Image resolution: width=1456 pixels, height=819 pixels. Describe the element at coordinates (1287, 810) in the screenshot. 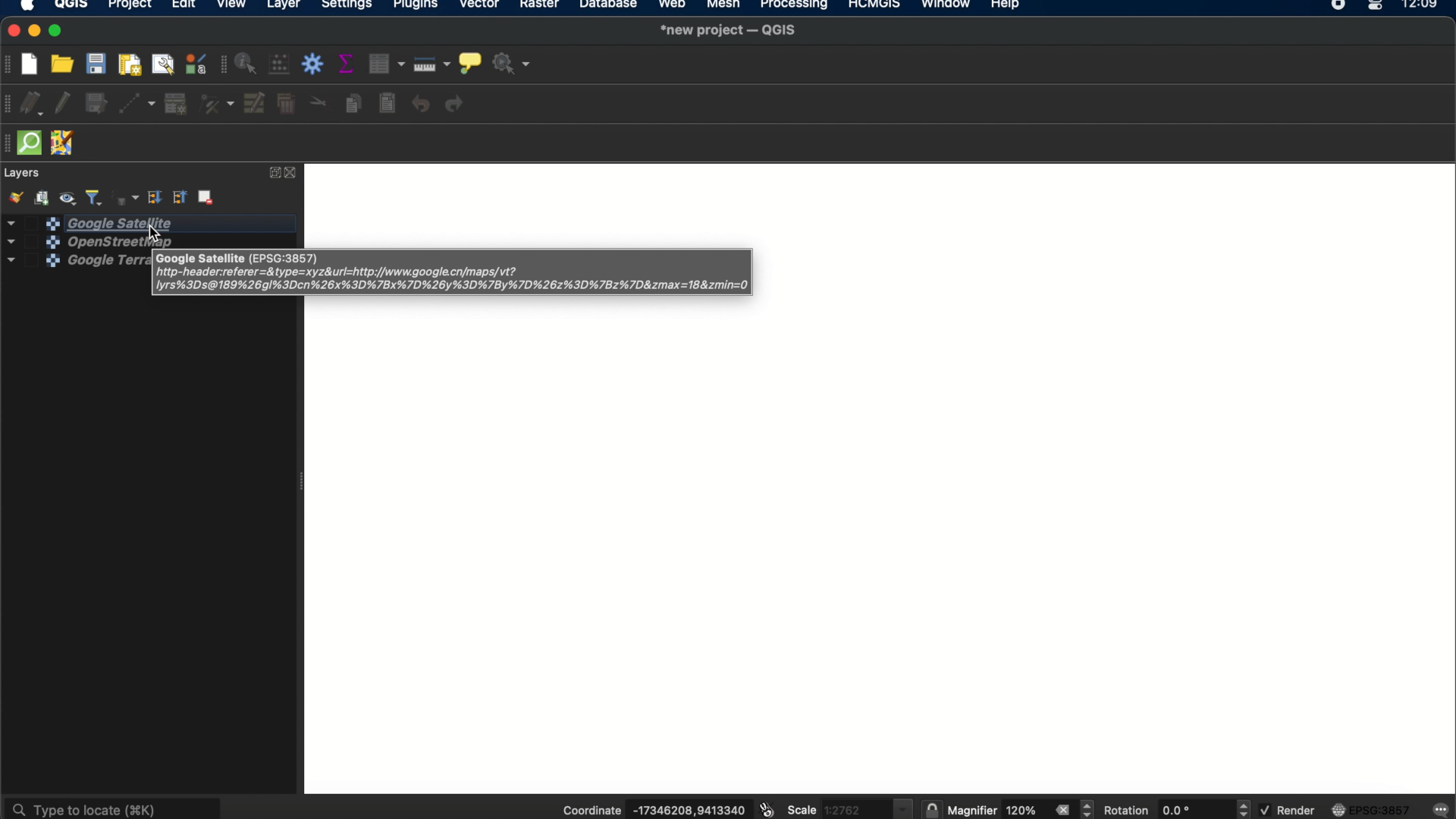

I see `render` at that location.